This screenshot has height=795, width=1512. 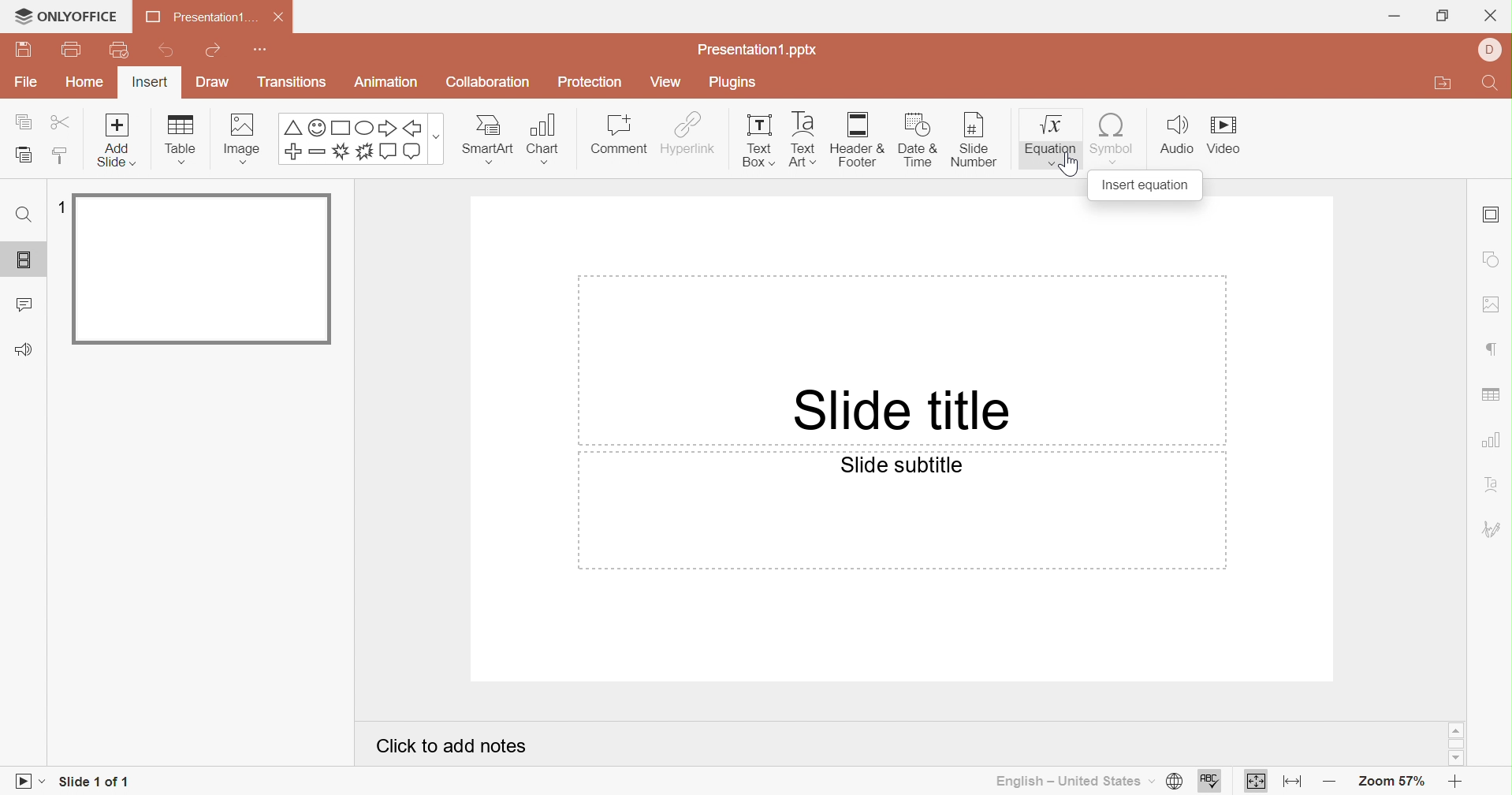 What do you see at coordinates (977, 139) in the screenshot?
I see `Slide number` at bounding box center [977, 139].